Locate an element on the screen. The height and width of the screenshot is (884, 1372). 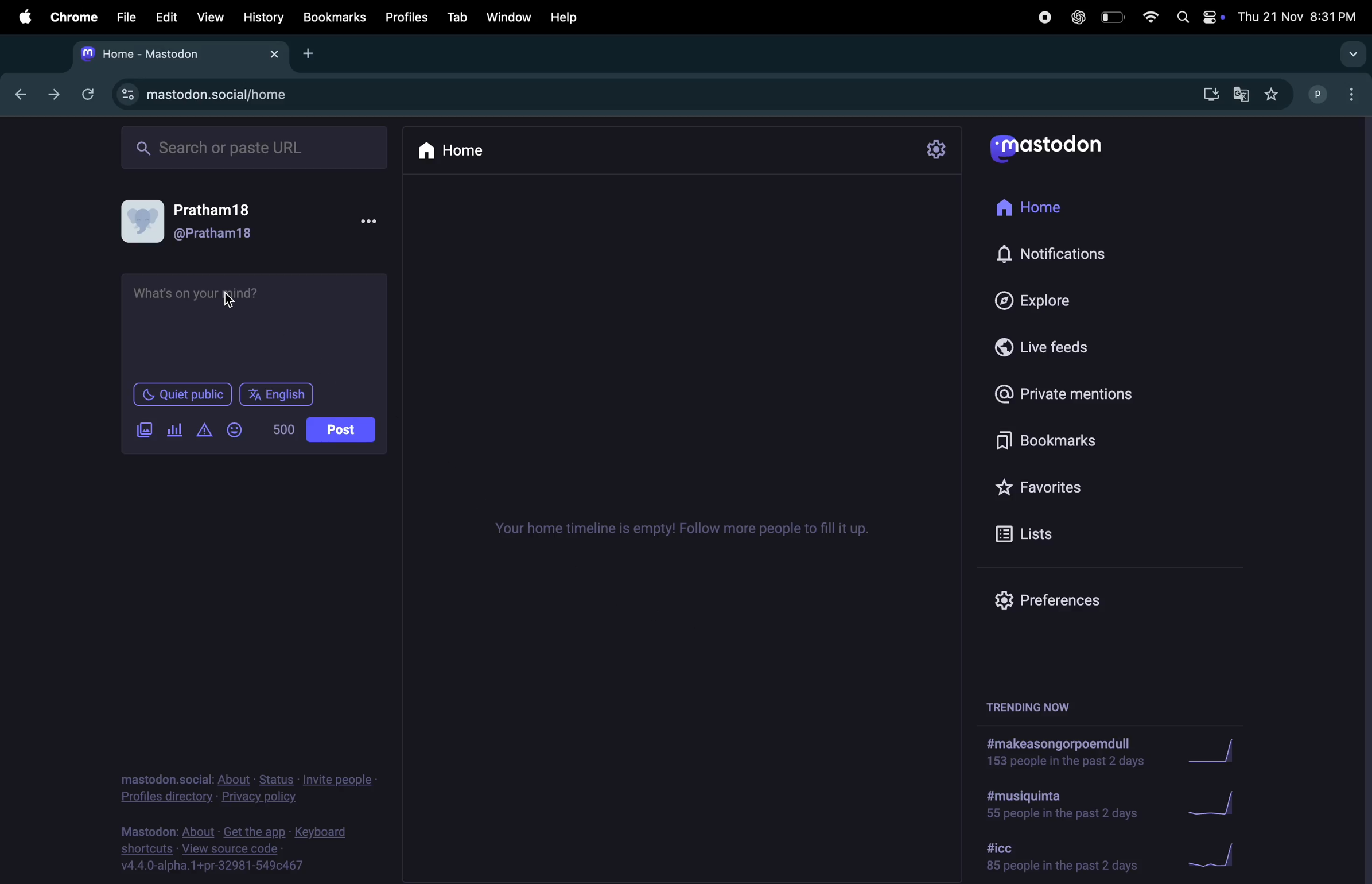
list is located at coordinates (1054, 538).